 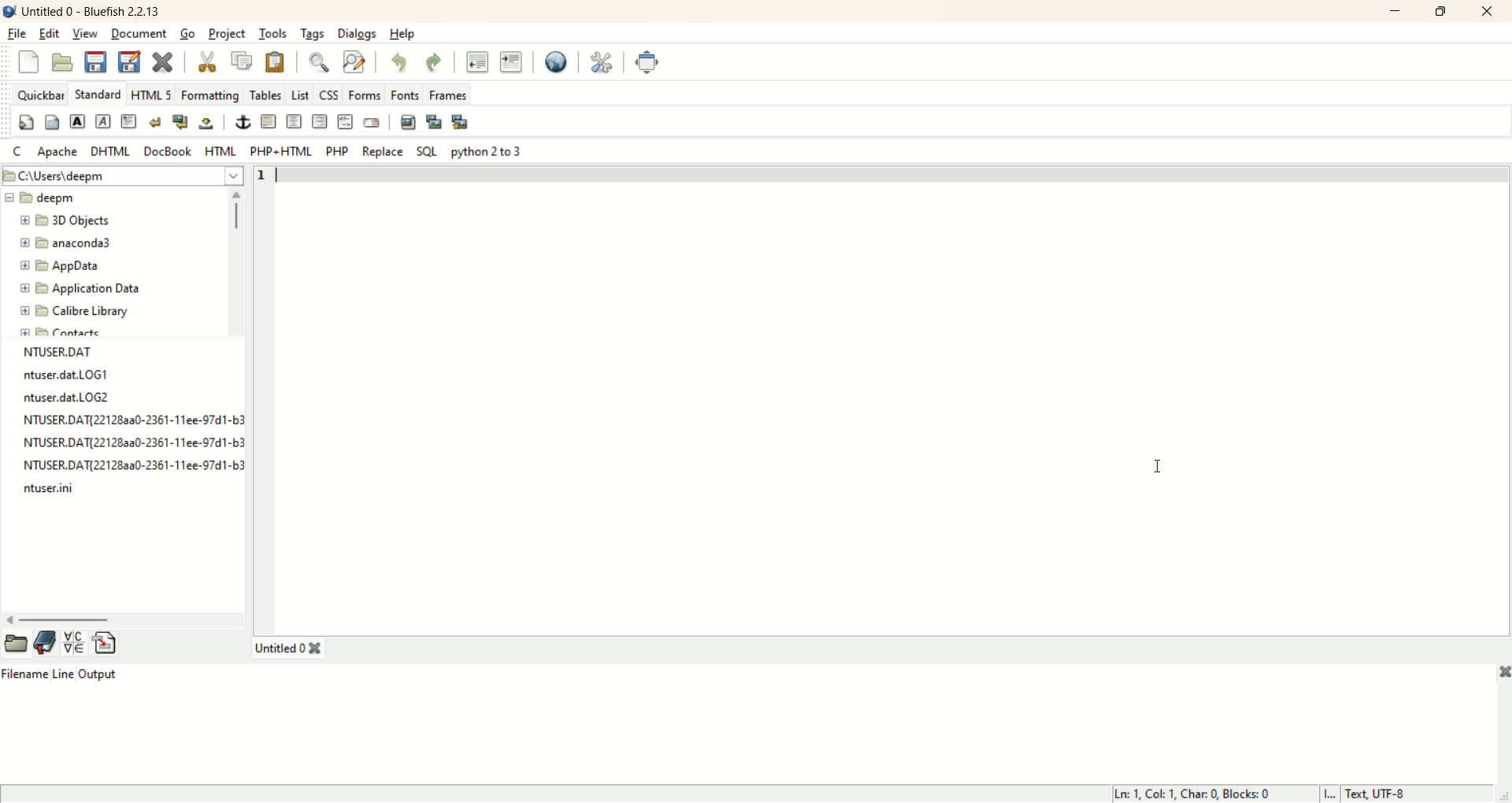 I want to click on close current file, so click(x=164, y=61).